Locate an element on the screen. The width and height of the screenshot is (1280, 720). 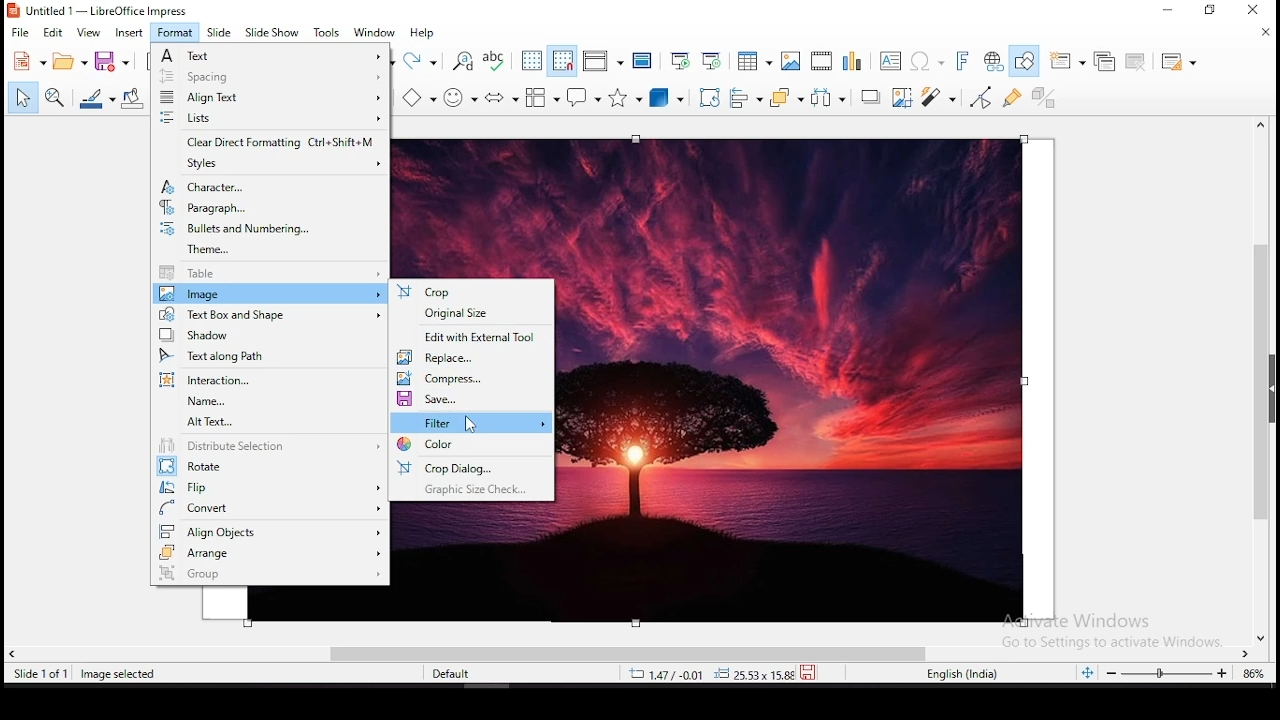
crop is located at coordinates (472, 292).